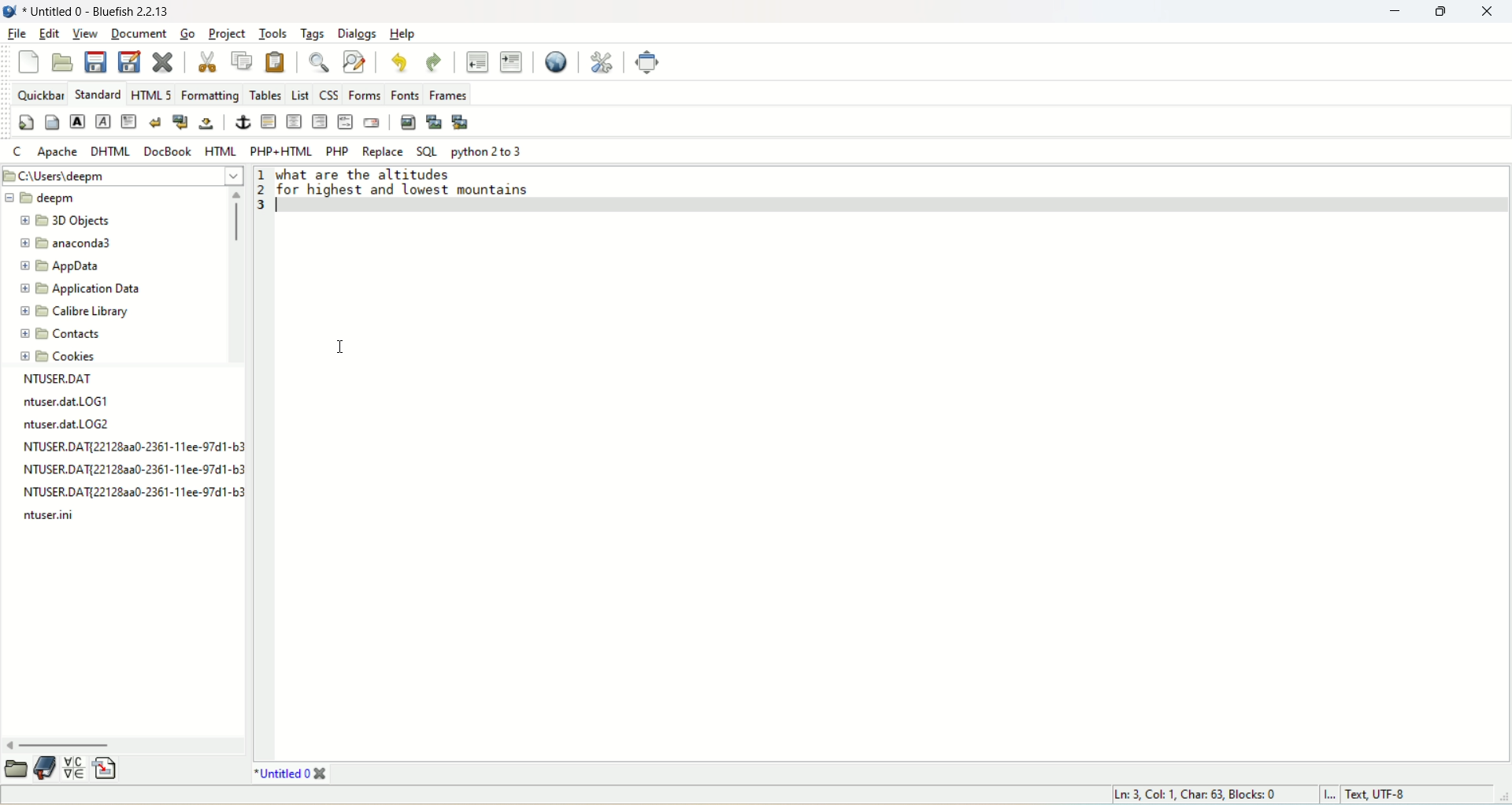 This screenshot has width=1512, height=805. I want to click on ntuser.dat.LOG2, so click(78, 425).